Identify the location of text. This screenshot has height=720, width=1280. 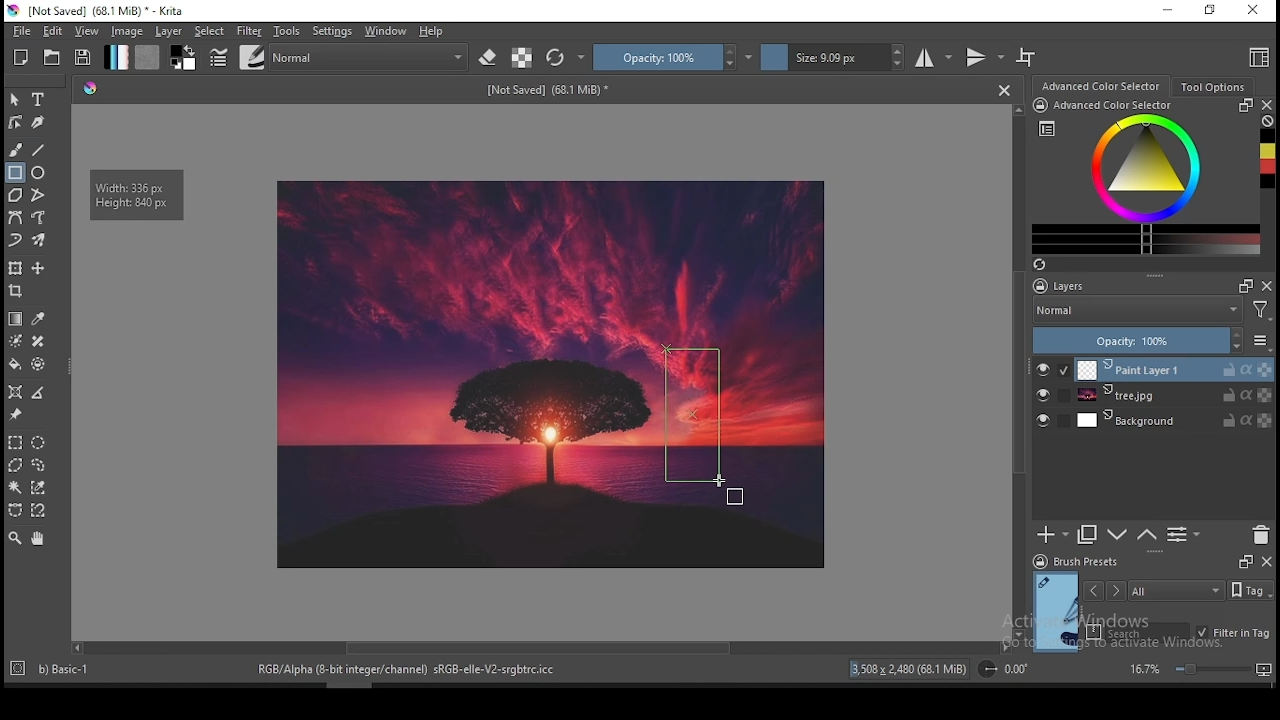
(546, 91).